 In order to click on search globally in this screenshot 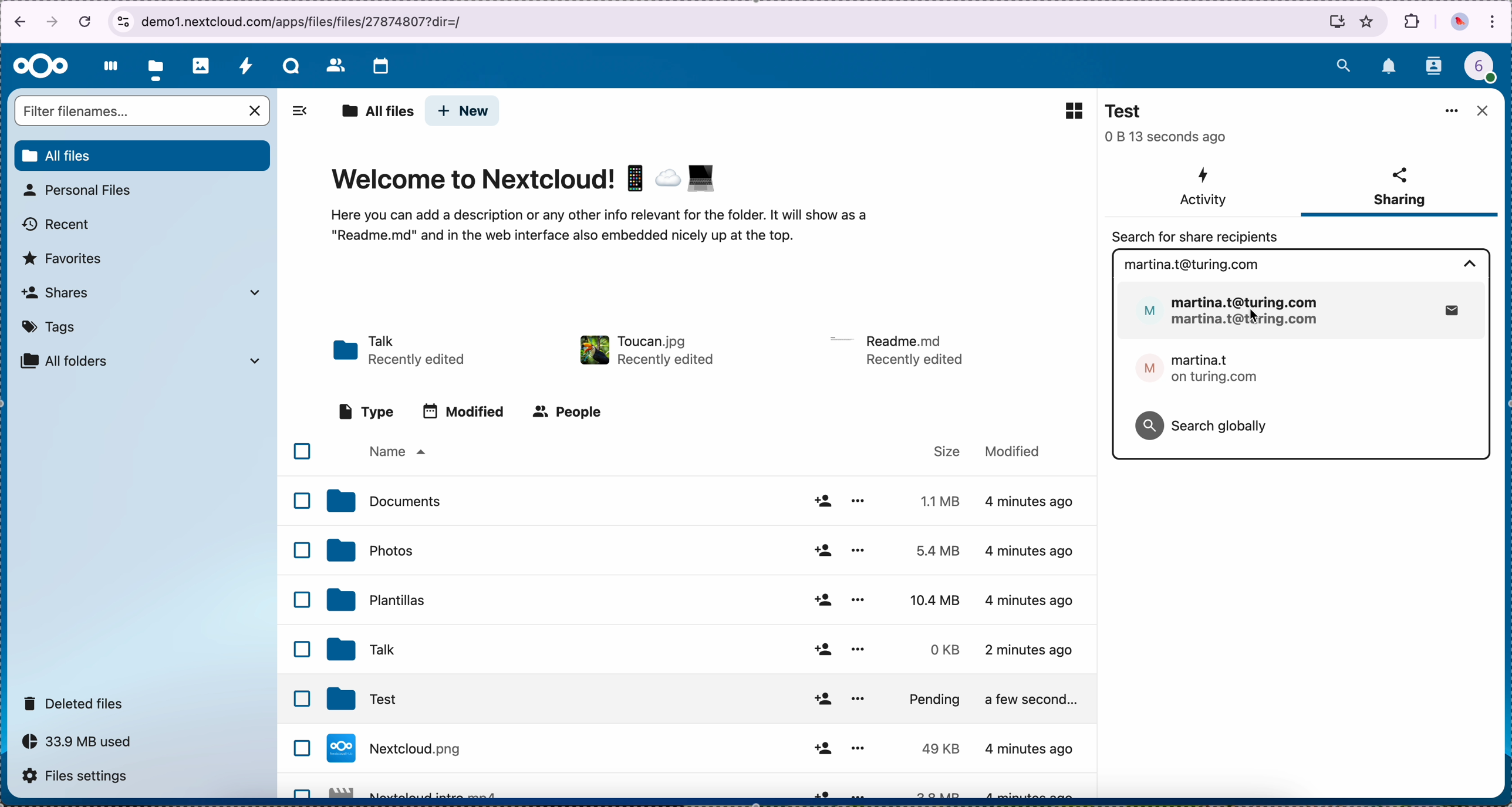, I will do `click(1204, 424)`.